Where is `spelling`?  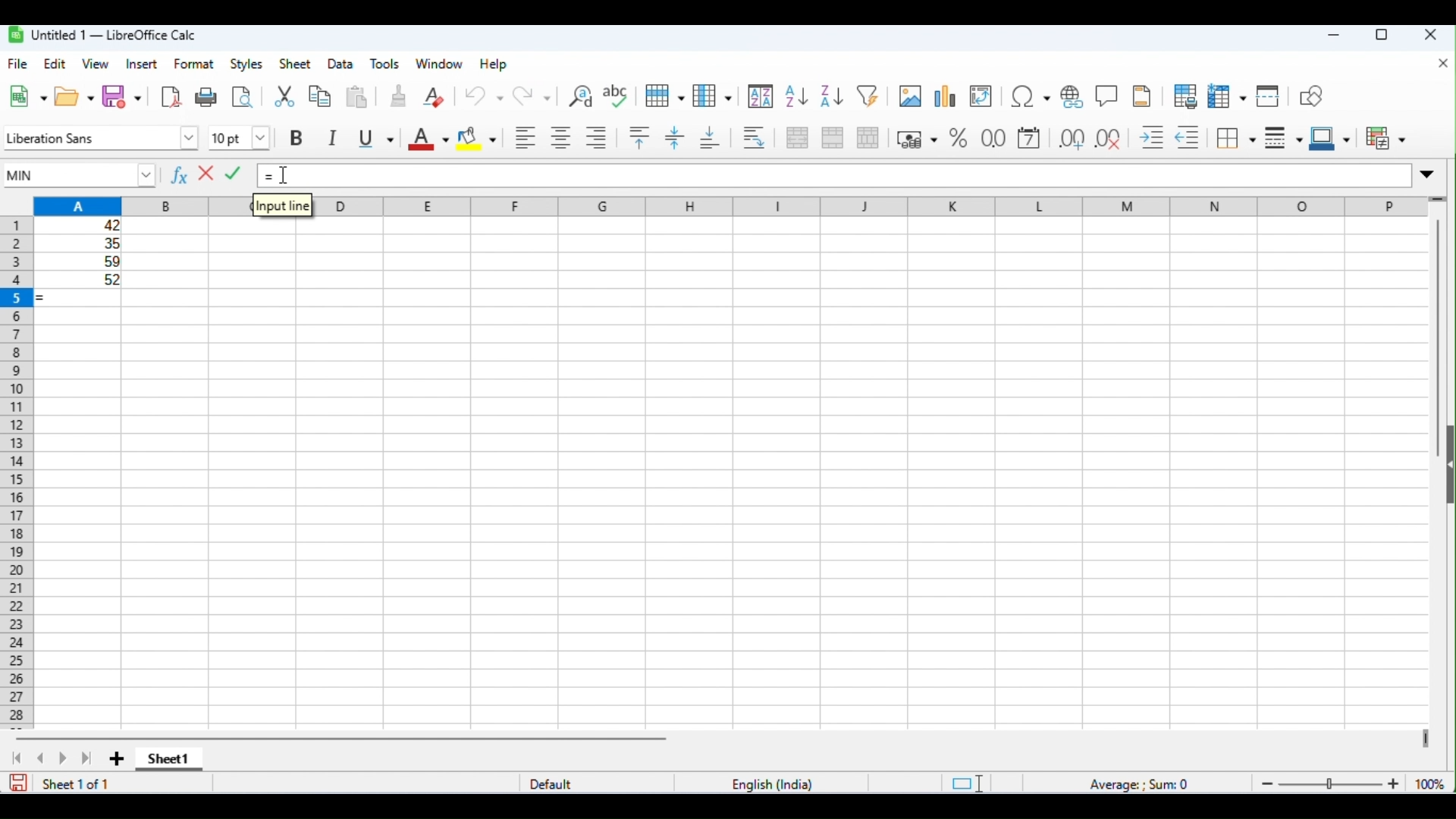
spelling is located at coordinates (617, 96).